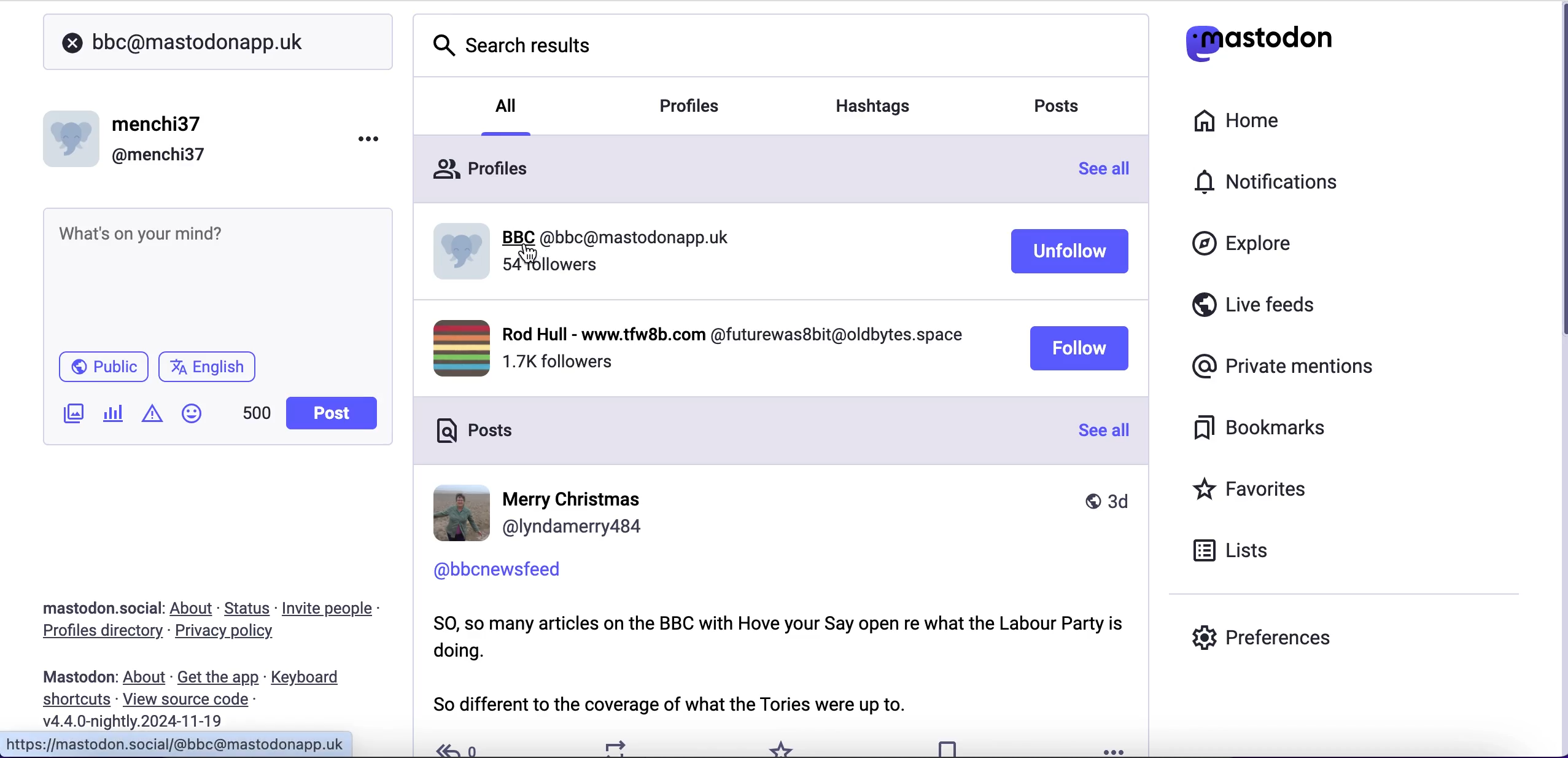  I want to click on see all, so click(1104, 166).